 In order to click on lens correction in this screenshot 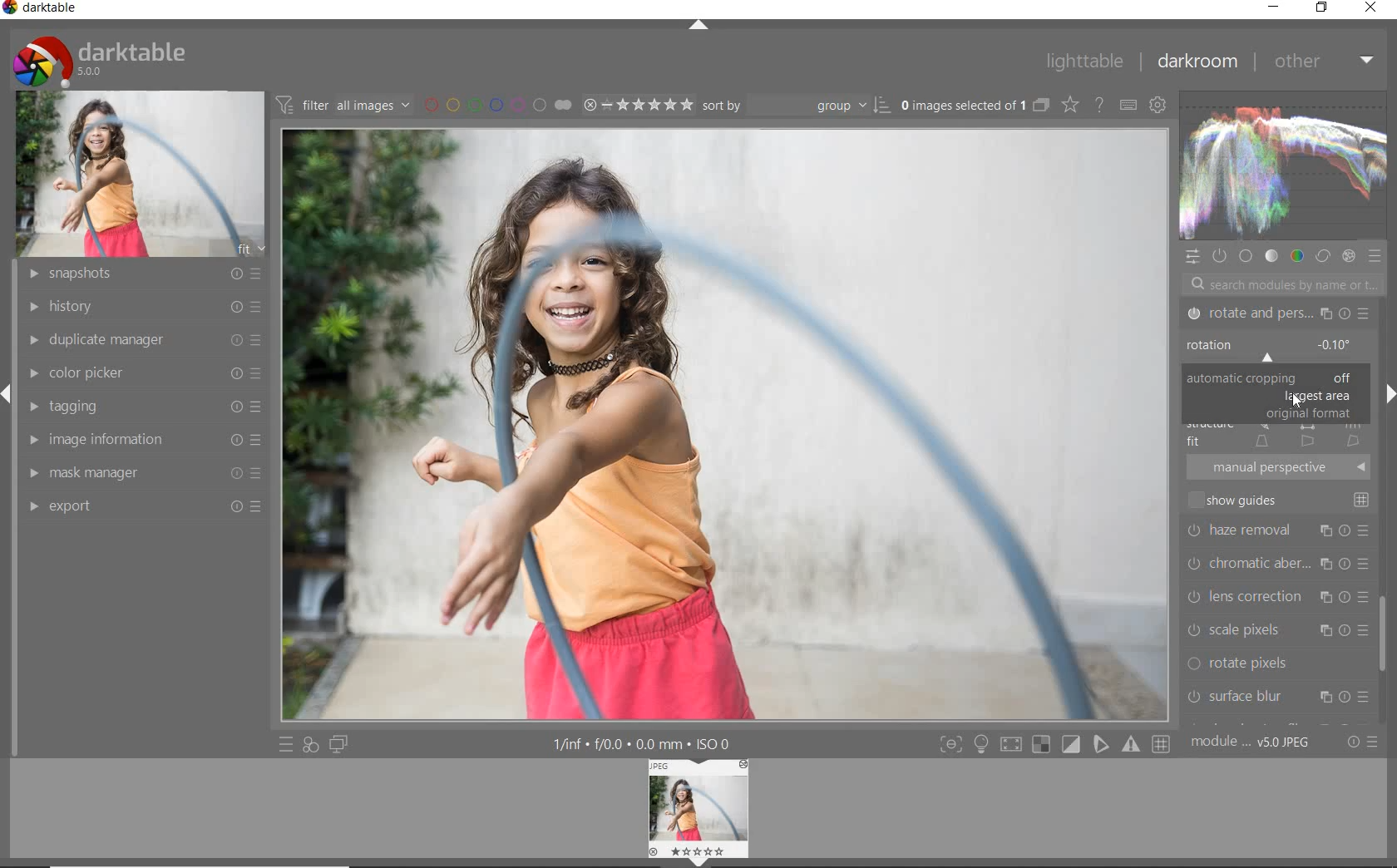, I will do `click(1277, 594)`.